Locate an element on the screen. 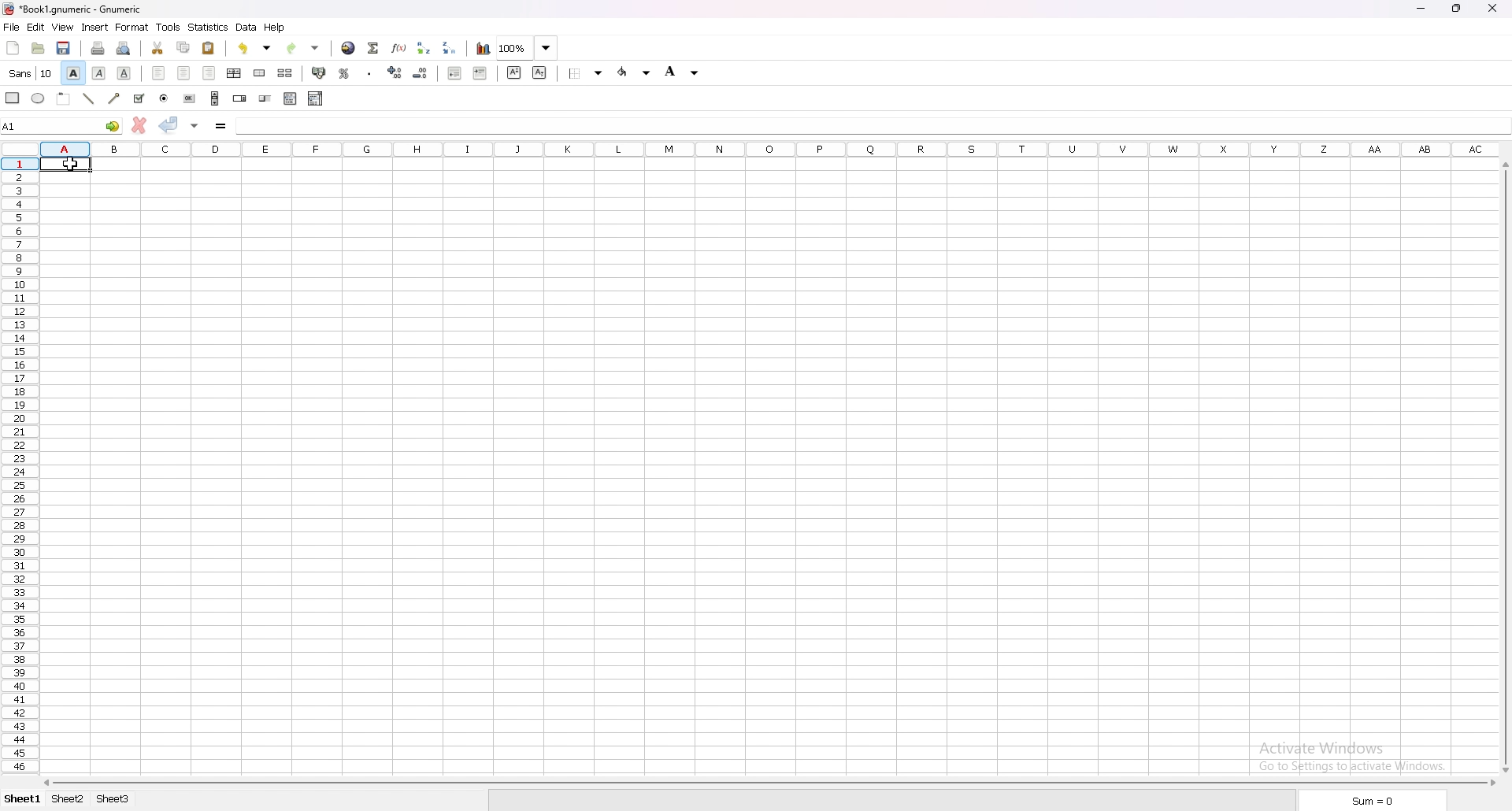 This screenshot has height=811, width=1512. sort ascending is located at coordinates (421, 48).